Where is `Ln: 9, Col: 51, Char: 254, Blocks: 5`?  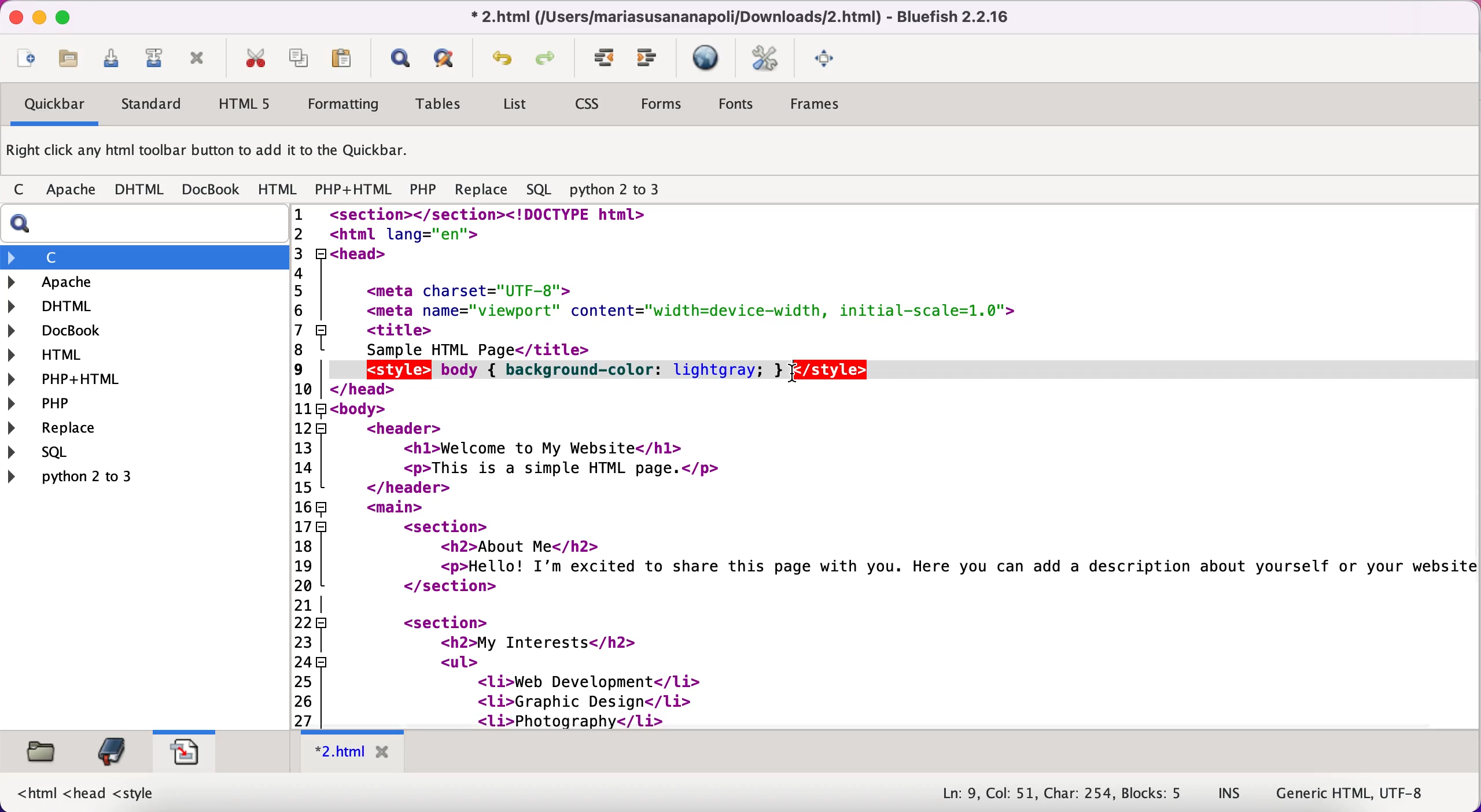
Ln: 9, Col: 51, Char: 254, Blocks: 5 is located at coordinates (1063, 794).